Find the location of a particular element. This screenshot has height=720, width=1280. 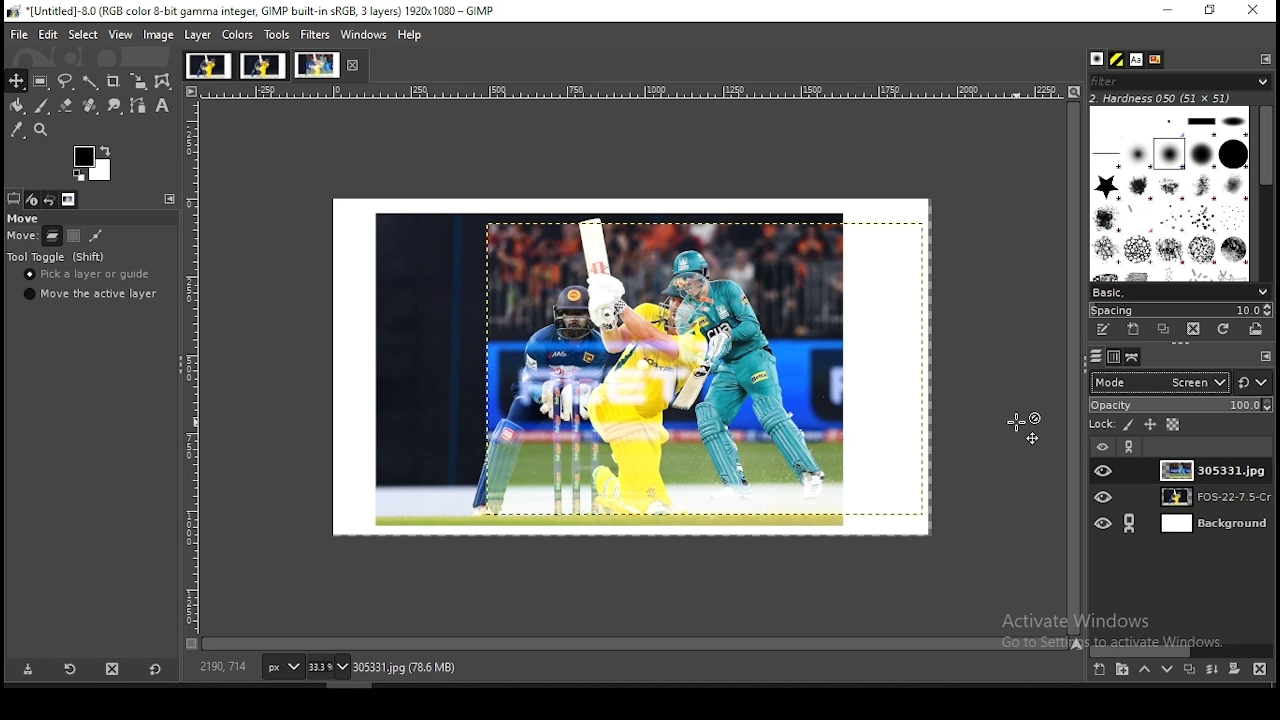

select is located at coordinates (84, 35).